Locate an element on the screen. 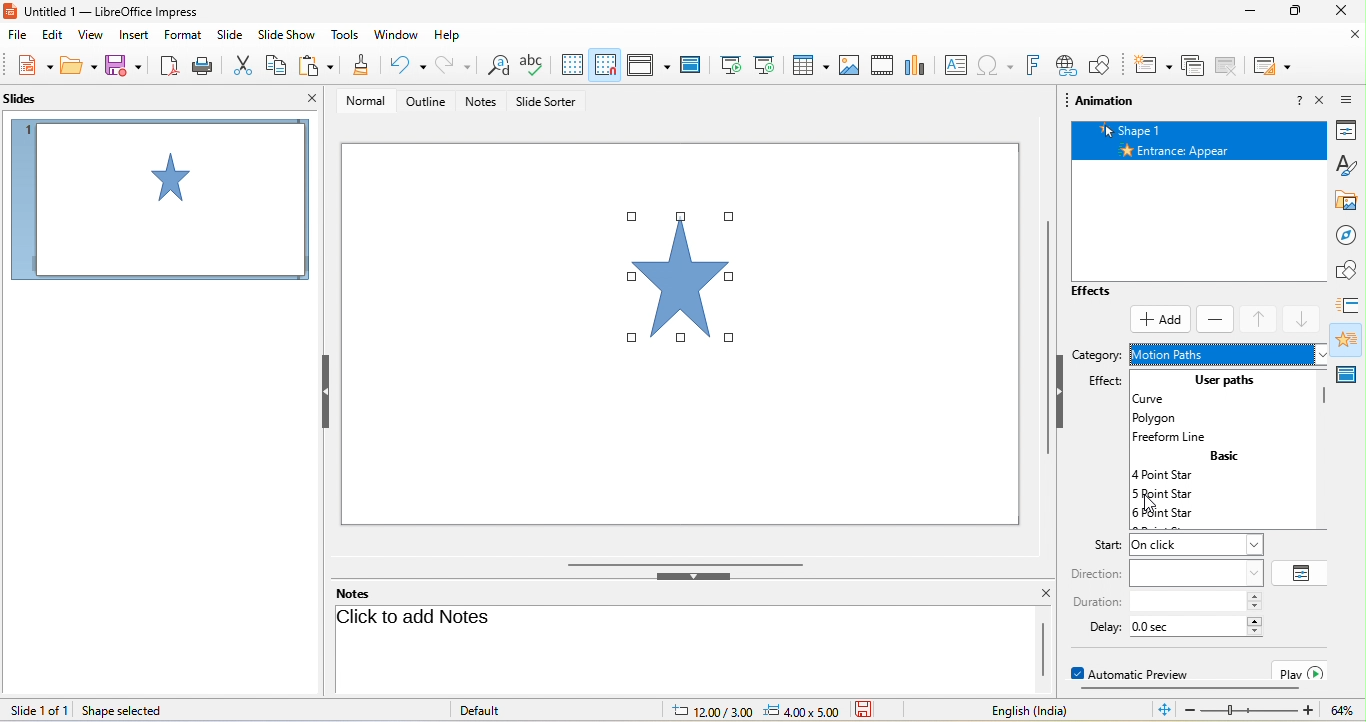  view is located at coordinates (88, 36).